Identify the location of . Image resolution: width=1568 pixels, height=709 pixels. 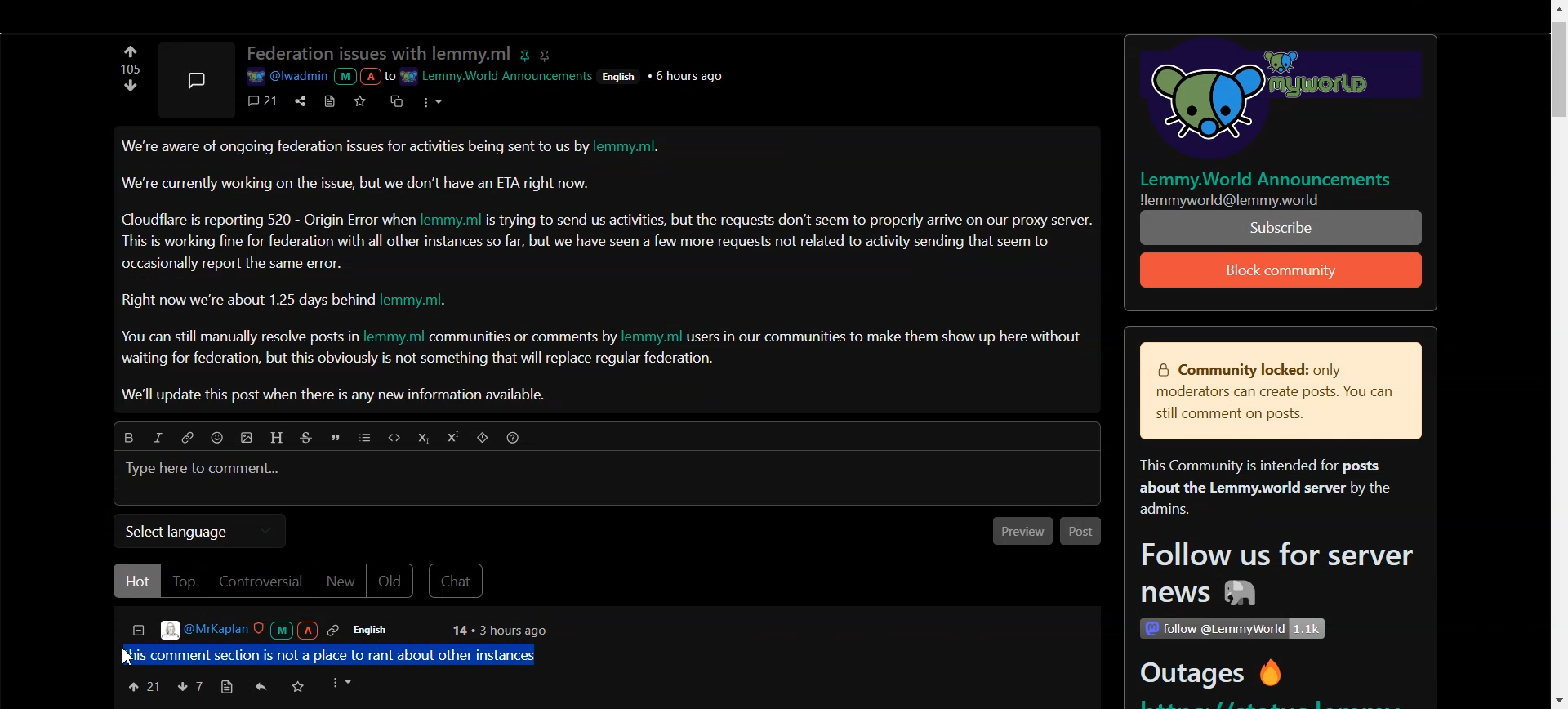
(622, 75).